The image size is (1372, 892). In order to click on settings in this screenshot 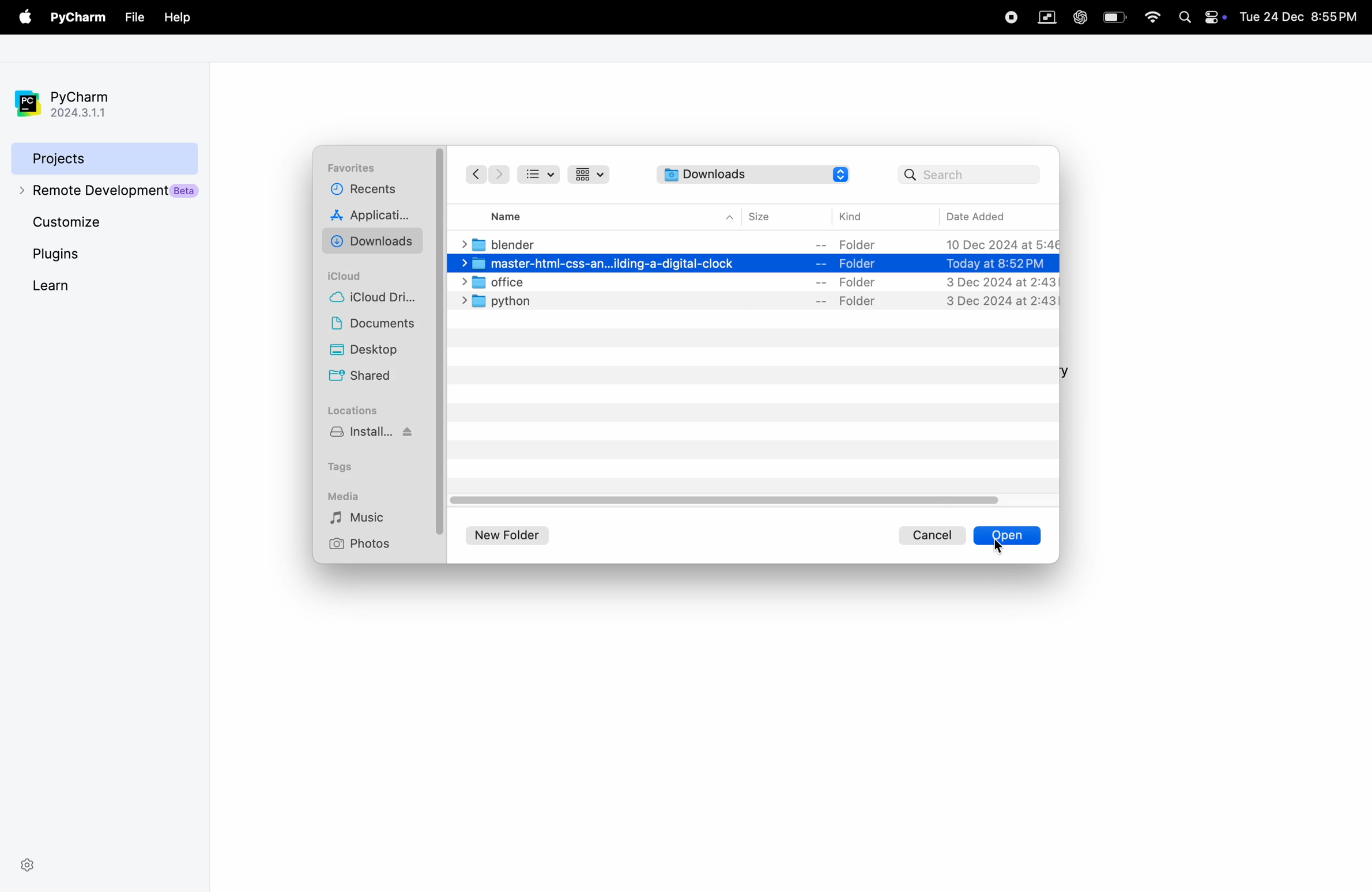, I will do `click(27, 863)`.